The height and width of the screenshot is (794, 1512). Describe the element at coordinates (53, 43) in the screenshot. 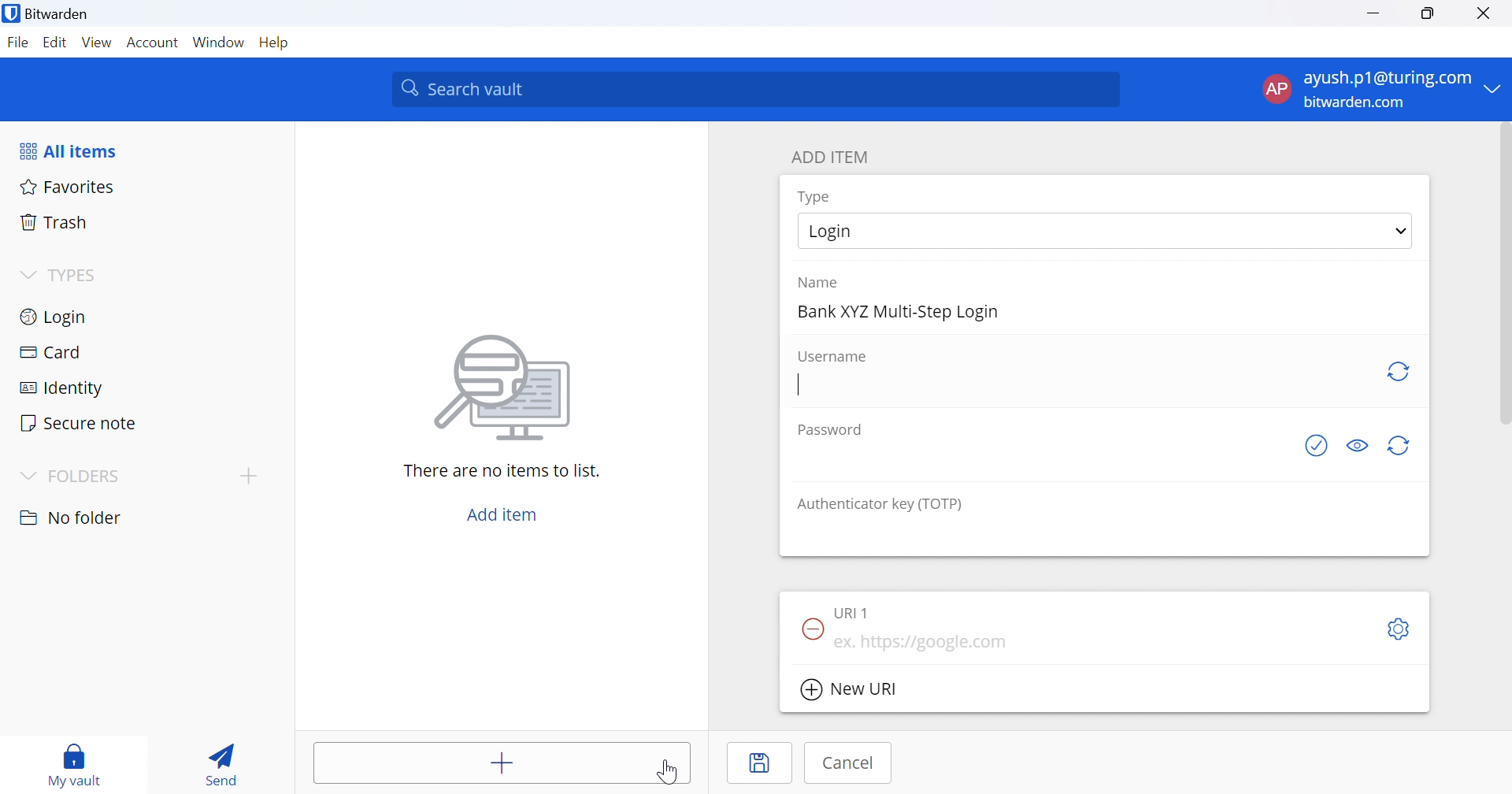

I see `Edit` at that location.